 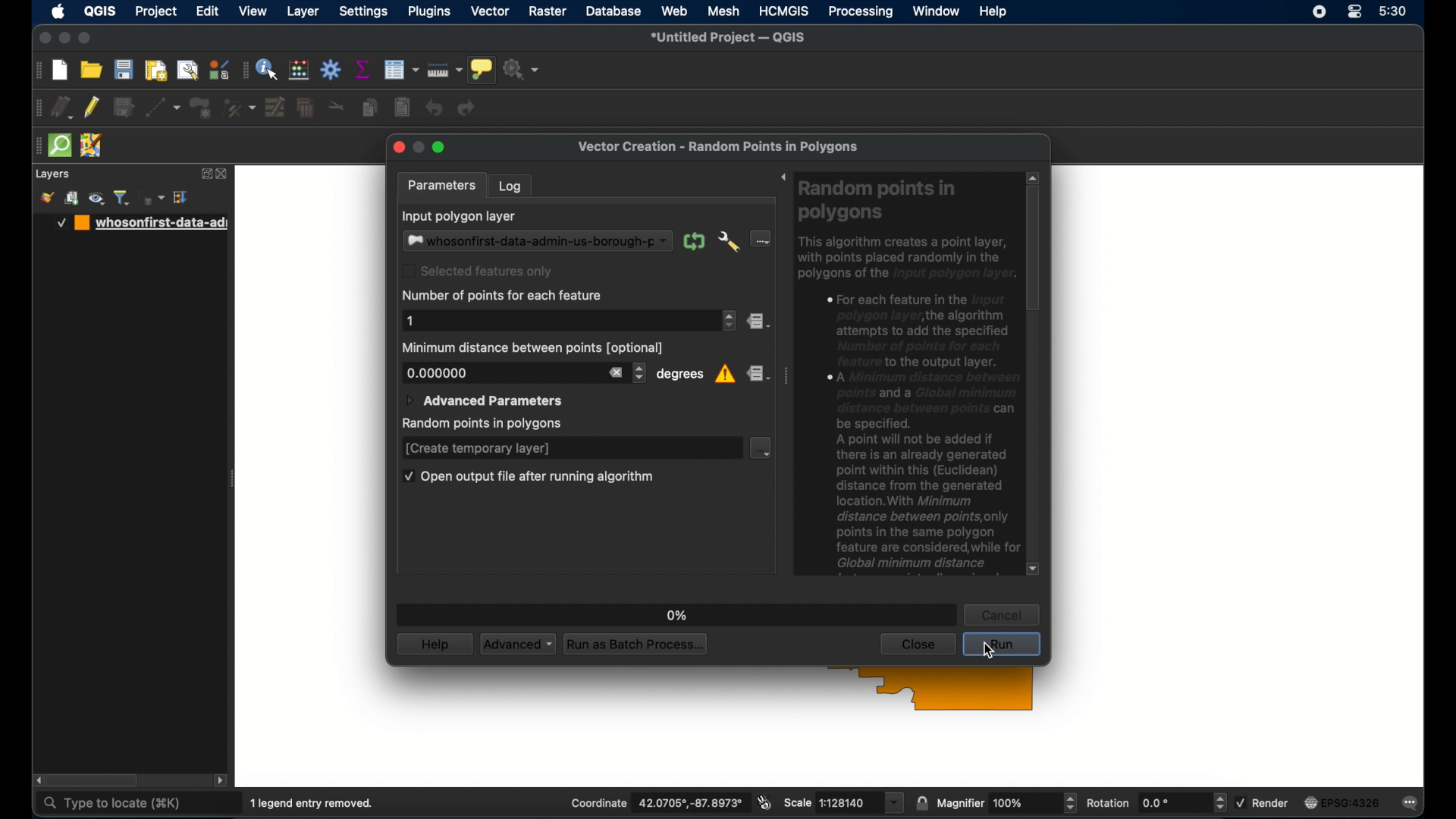 I want to click on save edits, so click(x=122, y=105).